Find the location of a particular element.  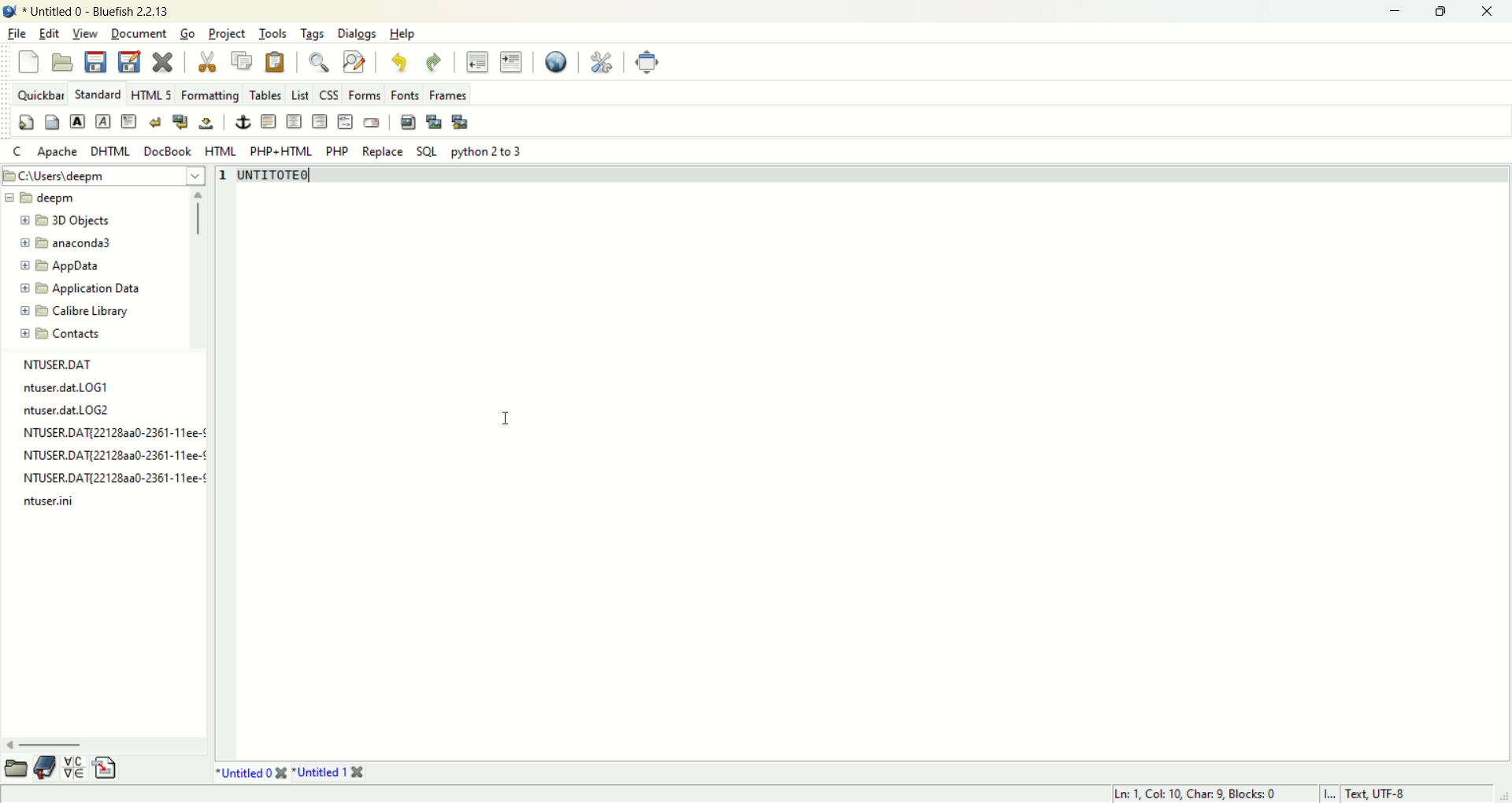

fullscreen is located at coordinates (647, 61).